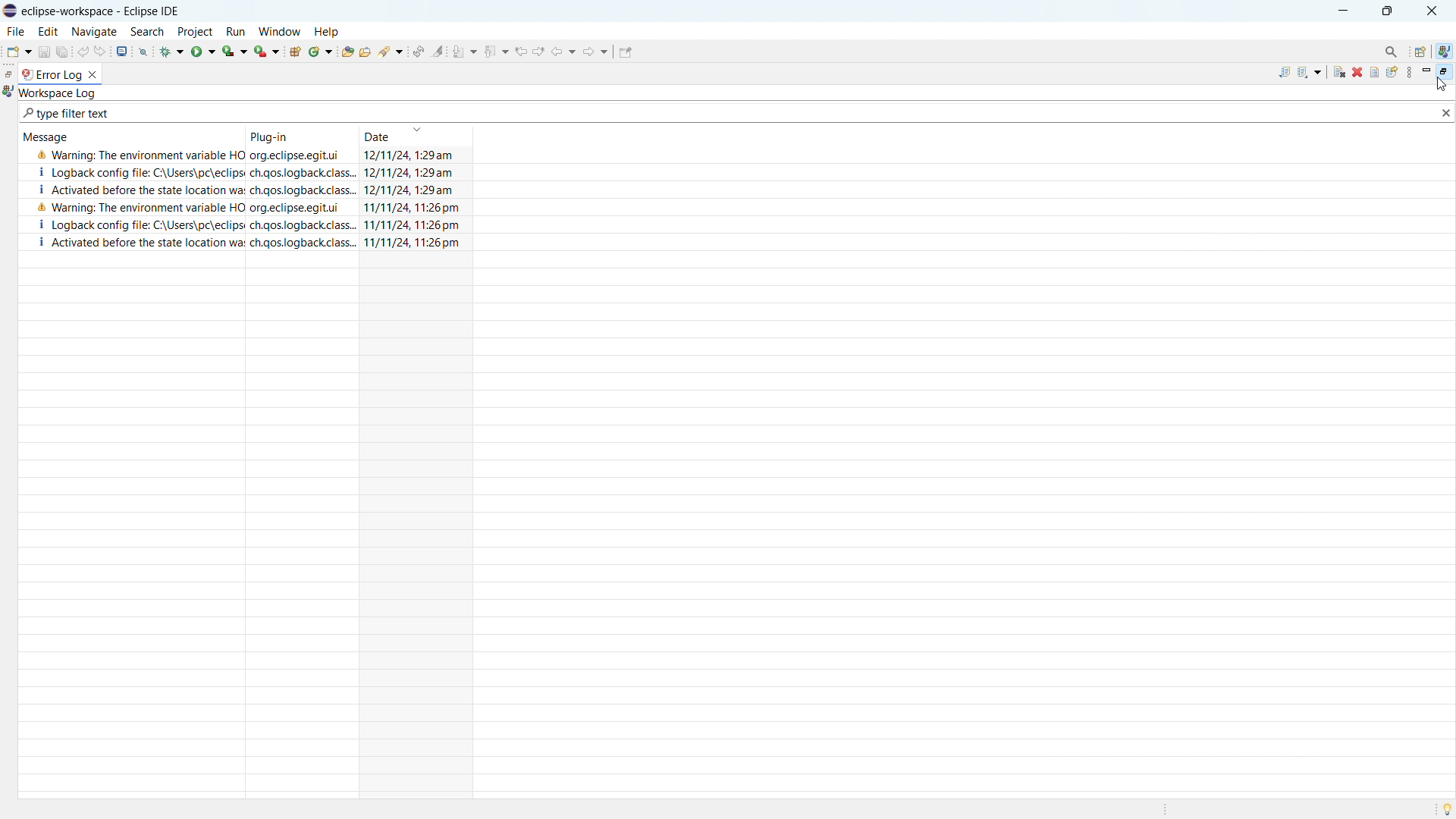 This screenshot has height=819, width=1456. Describe the element at coordinates (302, 156) in the screenshot. I see `org.eclipse.egit.ui` at that location.